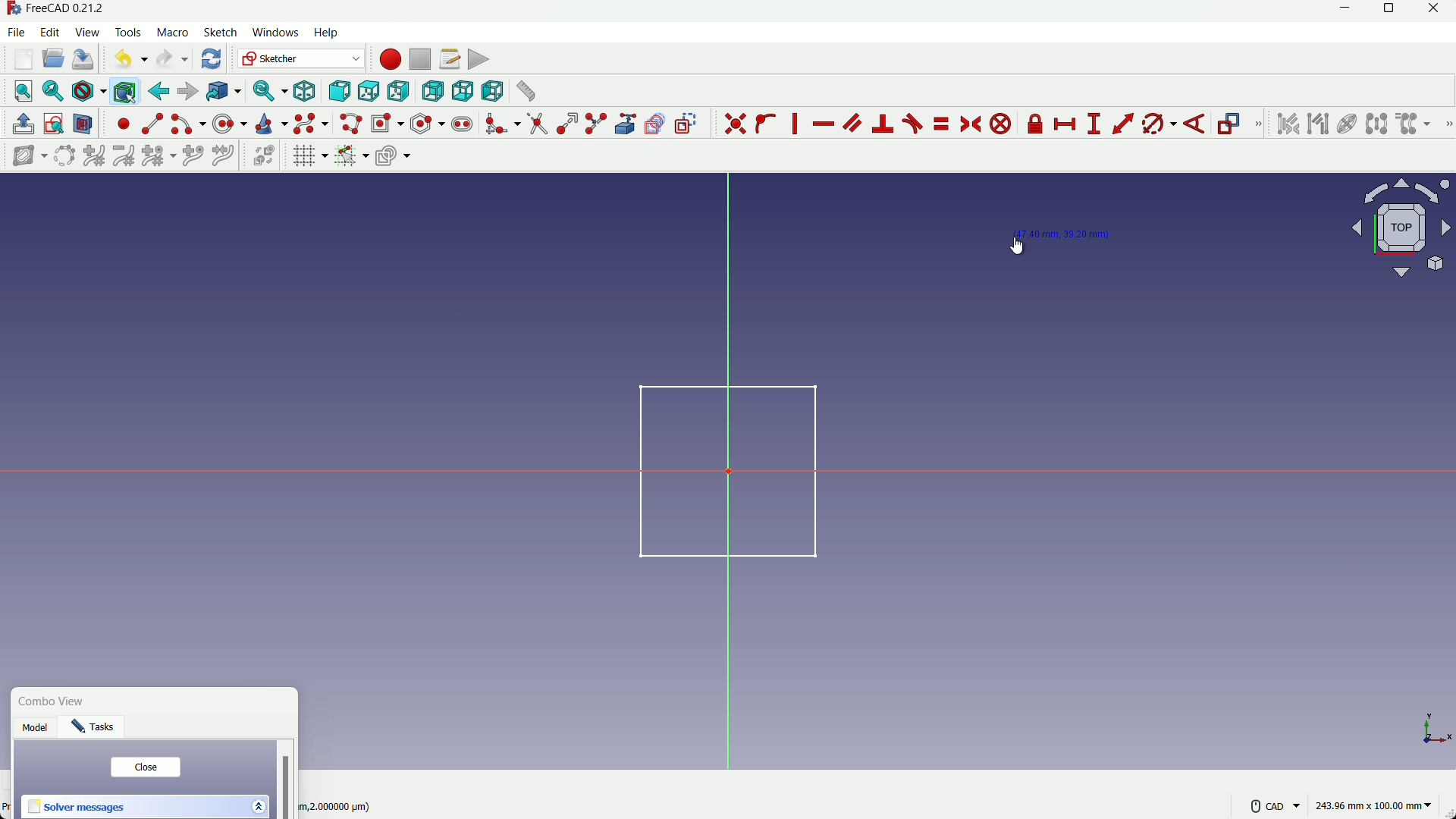 Image resolution: width=1456 pixels, height=819 pixels. I want to click on close, so click(145, 767).